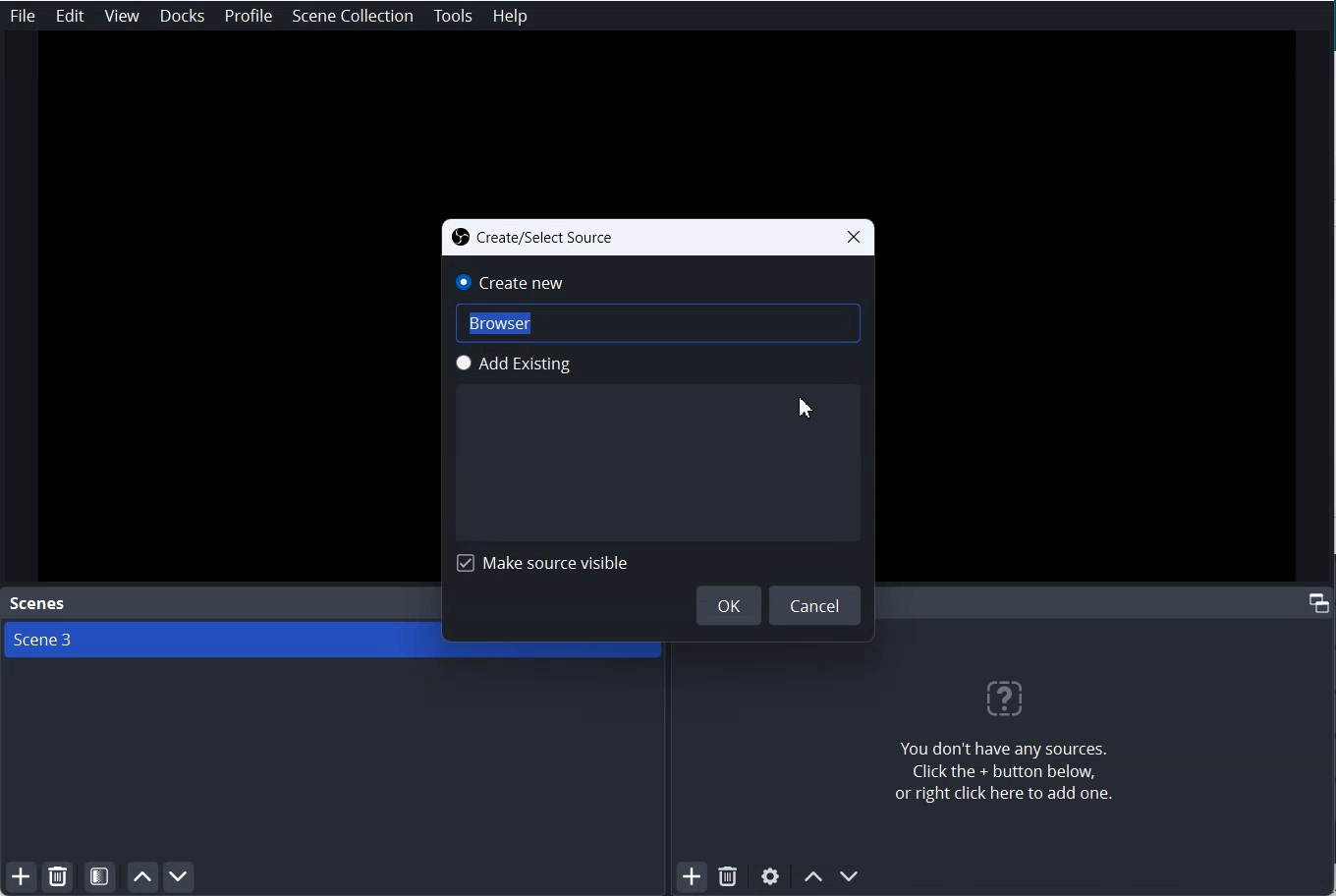 The height and width of the screenshot is (896, 1336). I want to click on Move Source up, so click(812, 876).